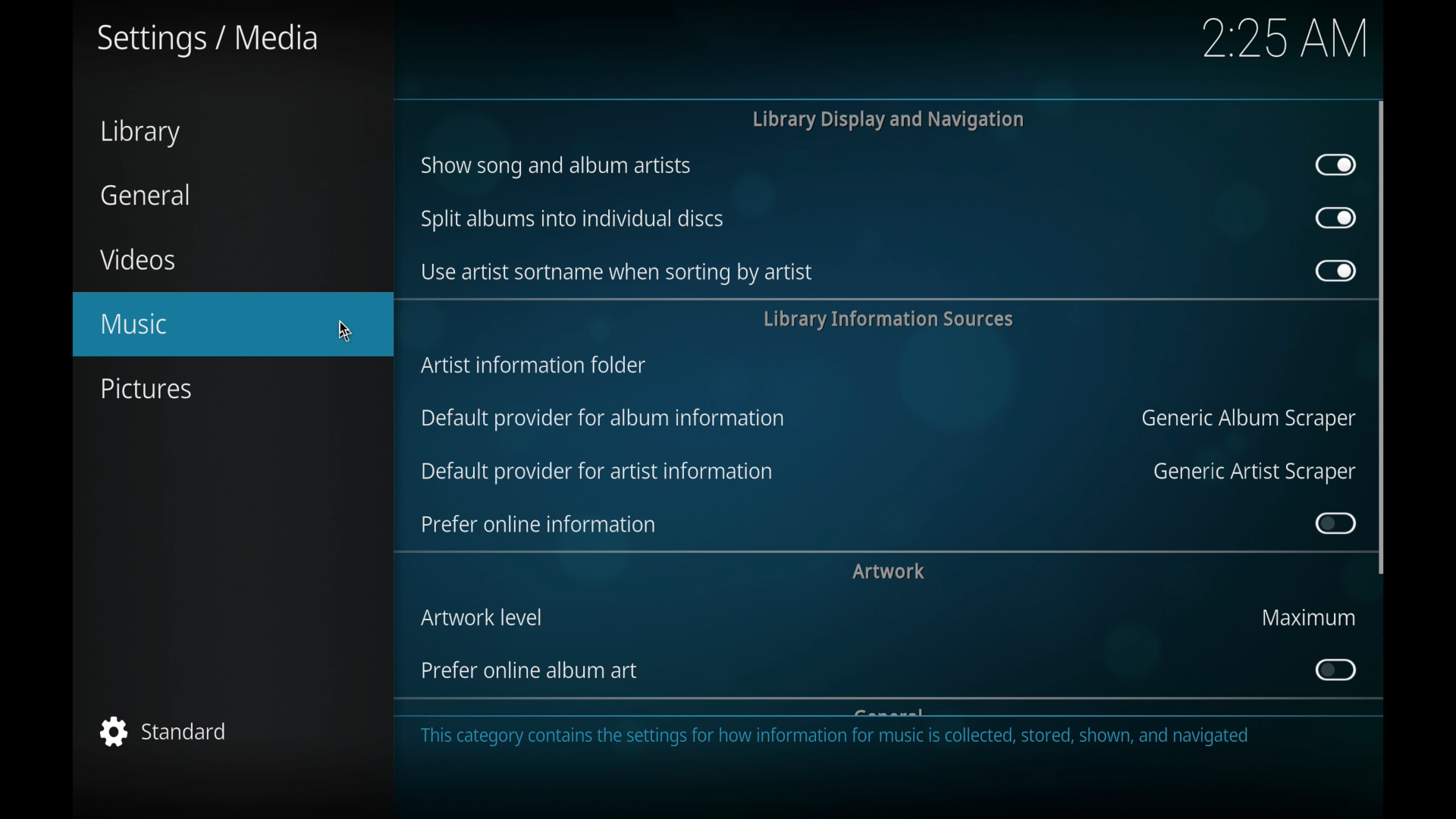 Image resolution: width=1456 pixels, height=819 pixels. Describe the element at coordinates (598, 472) in the screenshot. I see `default provider for artist information` at that location.